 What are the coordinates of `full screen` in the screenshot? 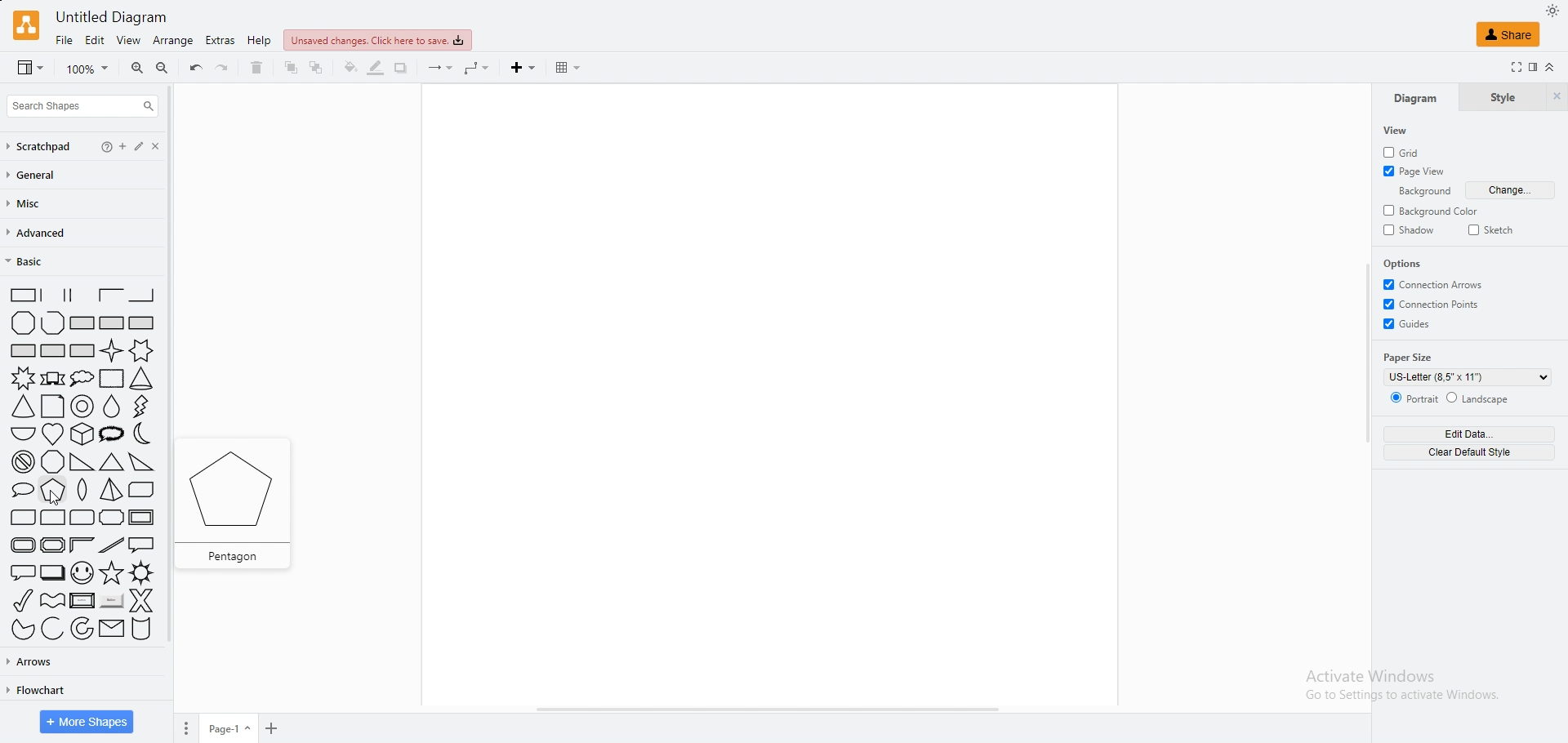 It's located at (1512, 67).